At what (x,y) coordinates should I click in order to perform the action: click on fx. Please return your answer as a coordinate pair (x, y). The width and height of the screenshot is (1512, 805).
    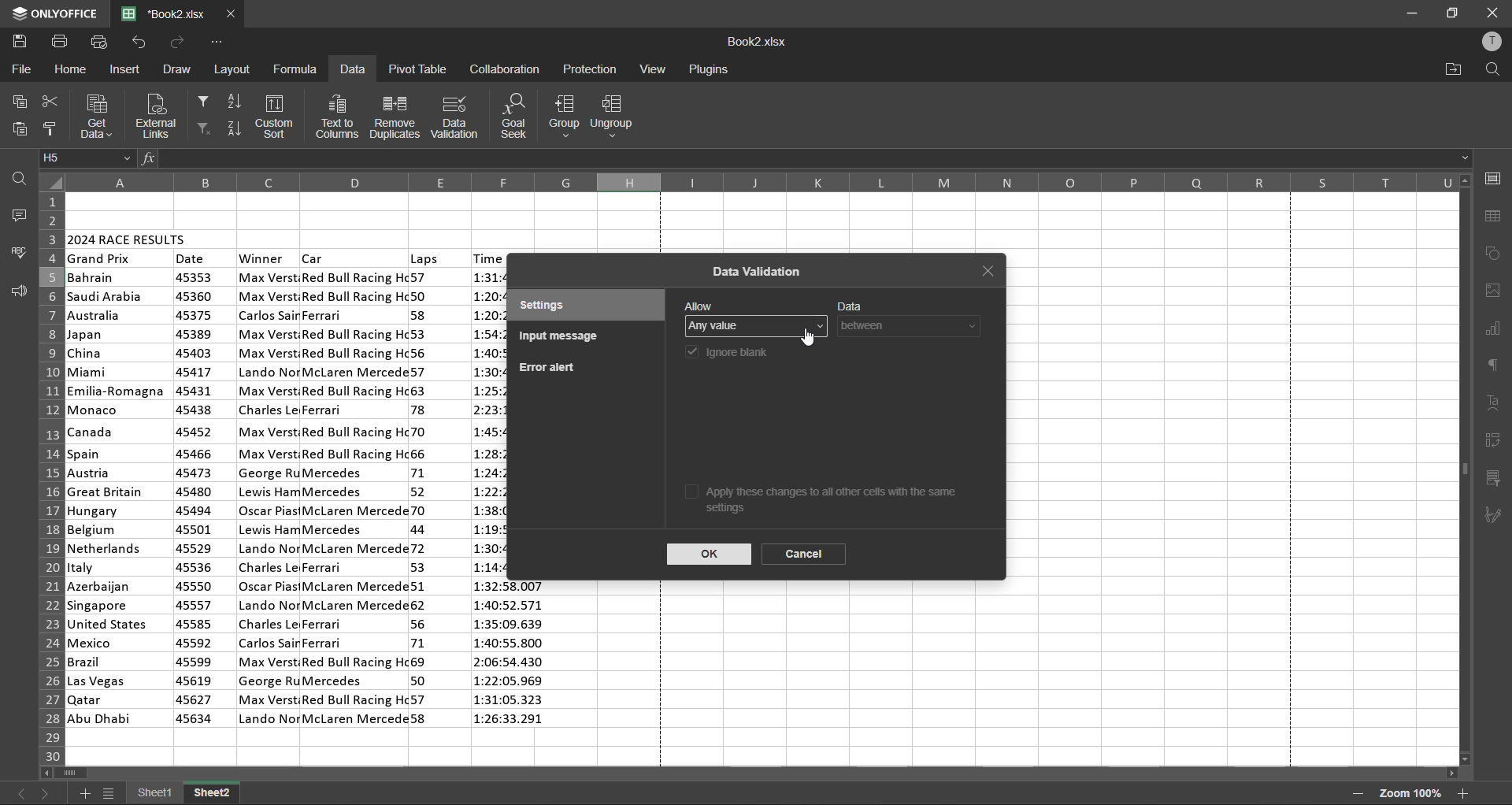
    Looking at the image, I should click on (150, 161).